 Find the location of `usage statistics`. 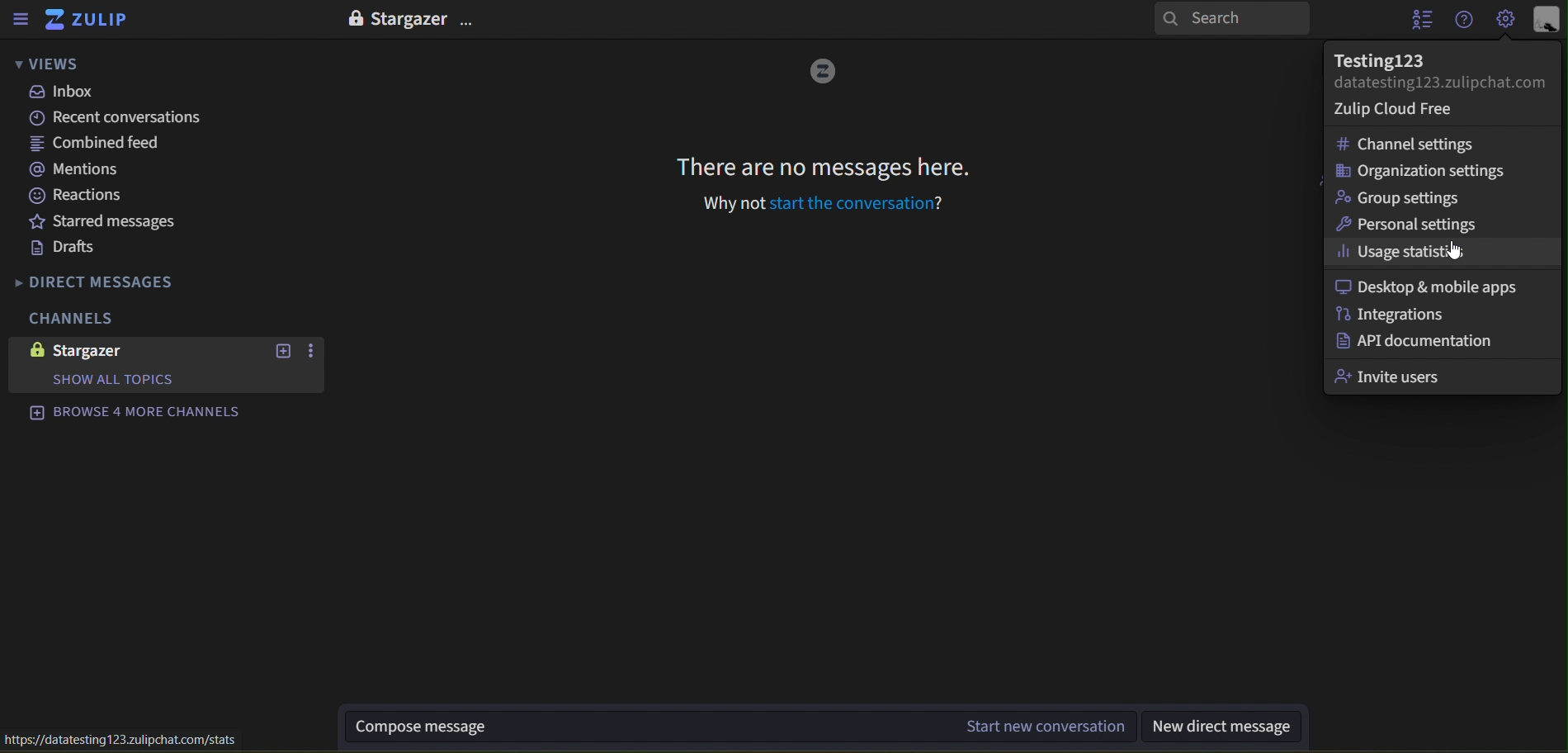

usage statistics is located at coordinates (1400, 251).